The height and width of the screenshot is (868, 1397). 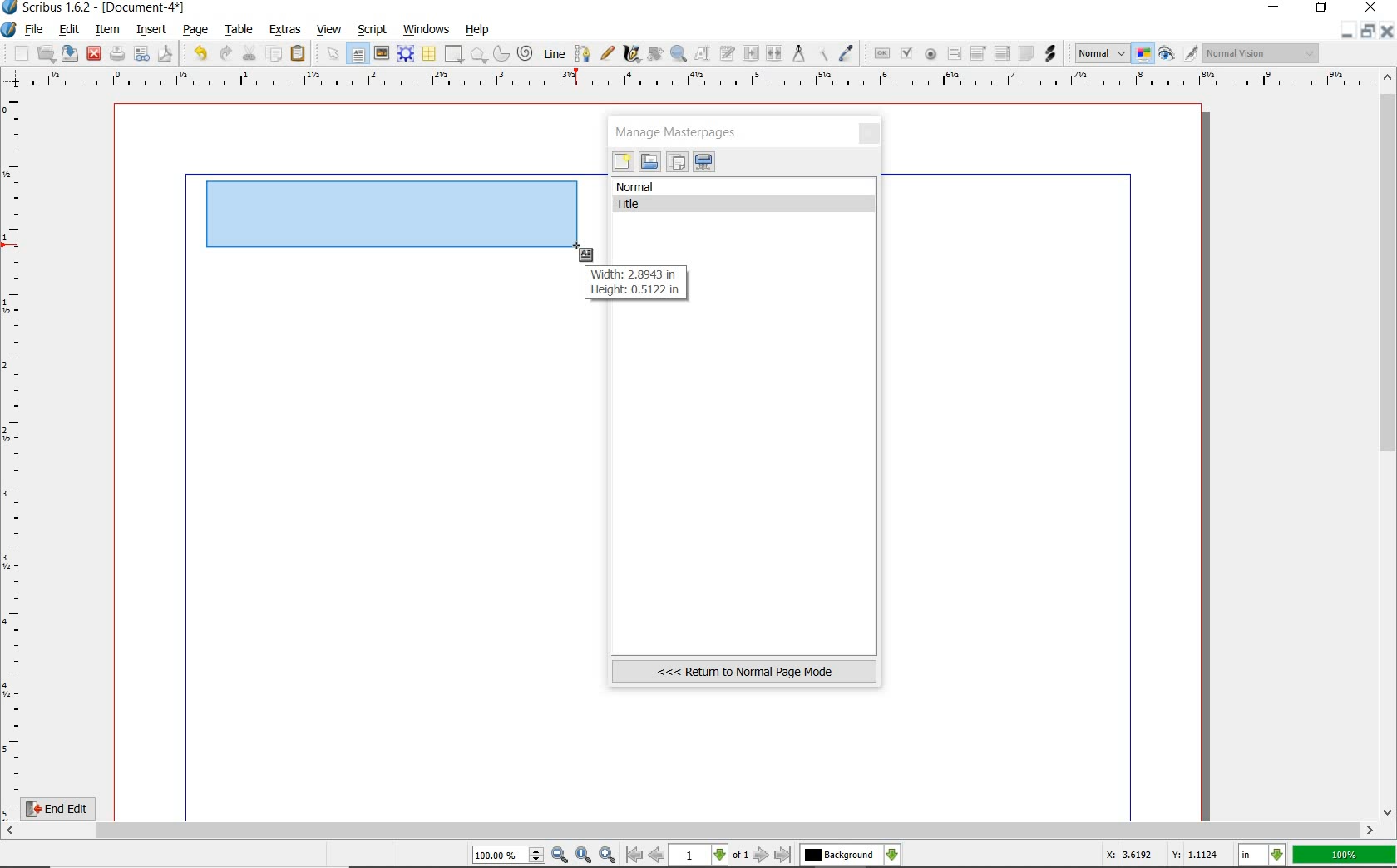 What do you see at coordinates (1323, 9) in the screenshot?
I see `restore` at bounding box center [1323, 9].